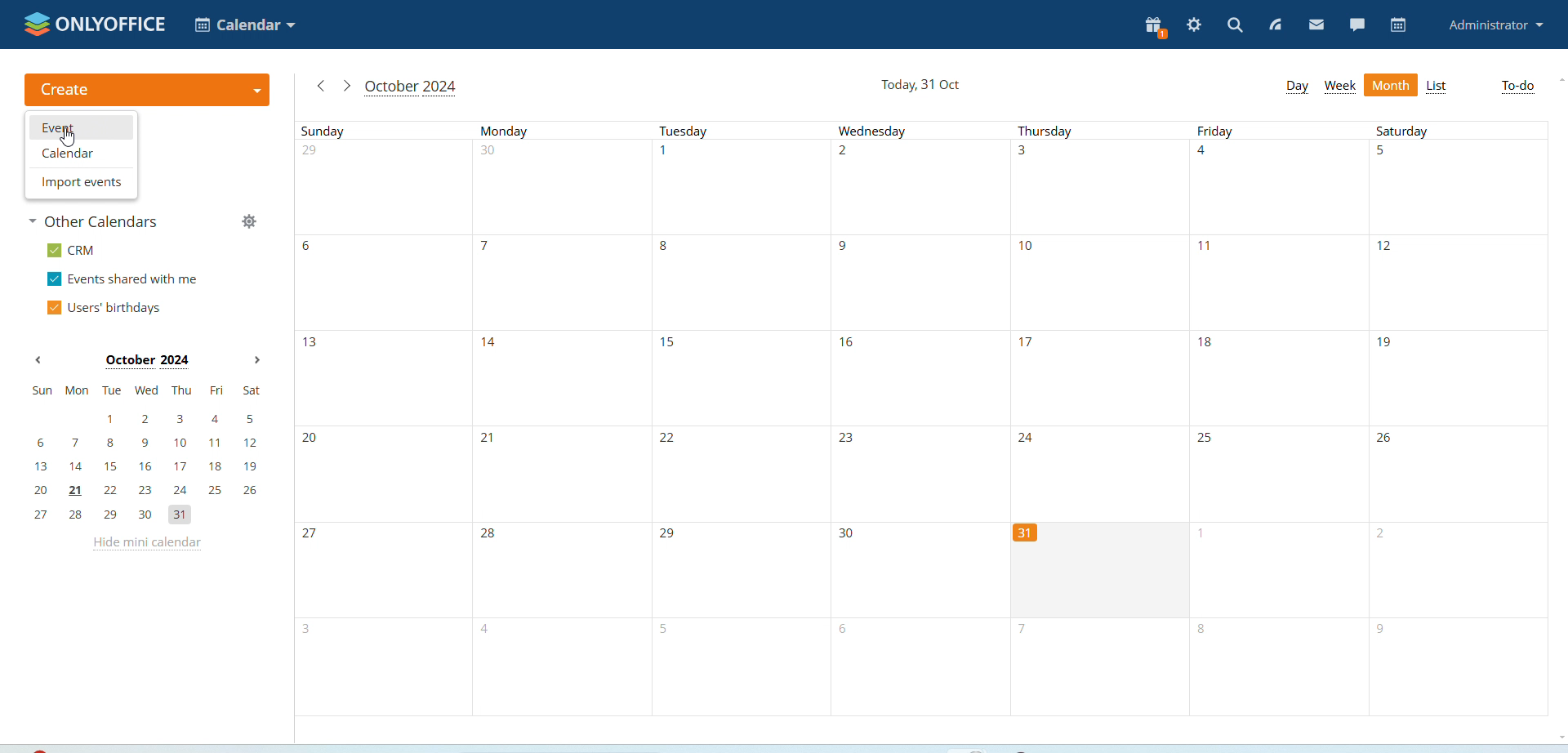 The width and height of the screenshot is (1568, 753). I want to click on Saturdays, so click(1459, 418).